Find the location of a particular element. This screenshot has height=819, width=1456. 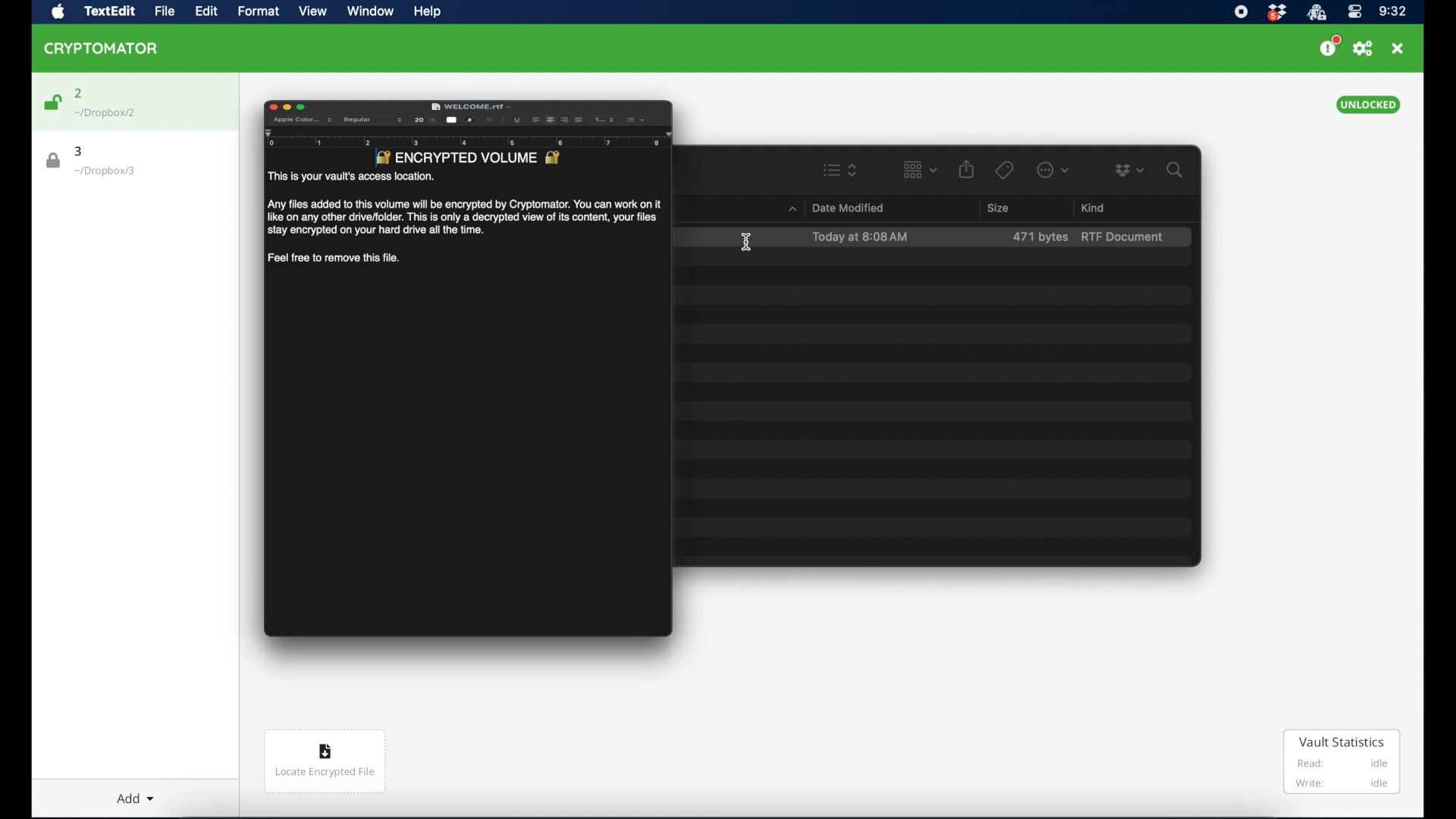

tags is located at coordinates (1006, 169).